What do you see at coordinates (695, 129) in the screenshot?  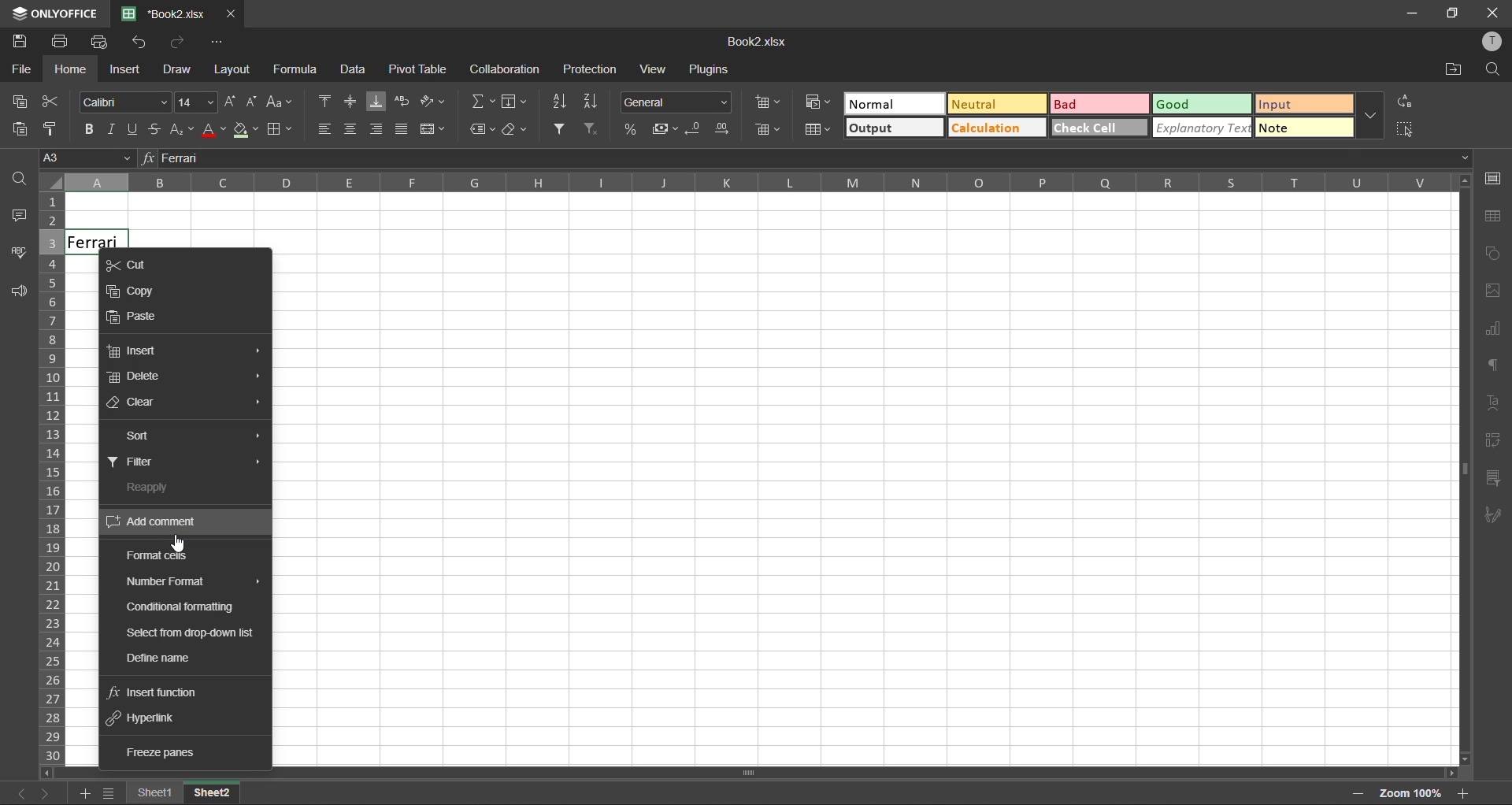 I see `decrease decimal` at bounding box center [695, 129].